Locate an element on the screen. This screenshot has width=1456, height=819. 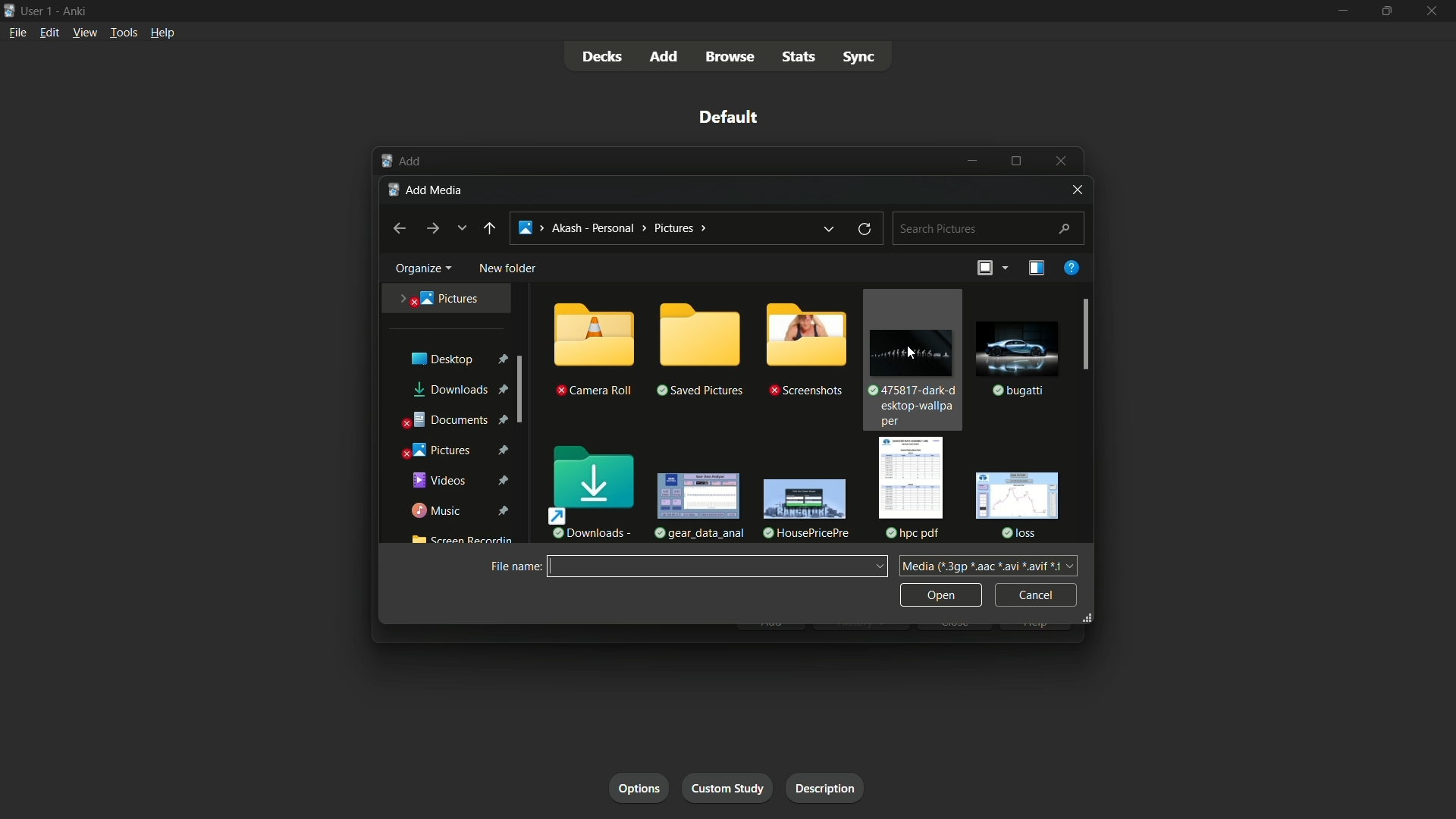
close app is located at coordinates (1434, 11).